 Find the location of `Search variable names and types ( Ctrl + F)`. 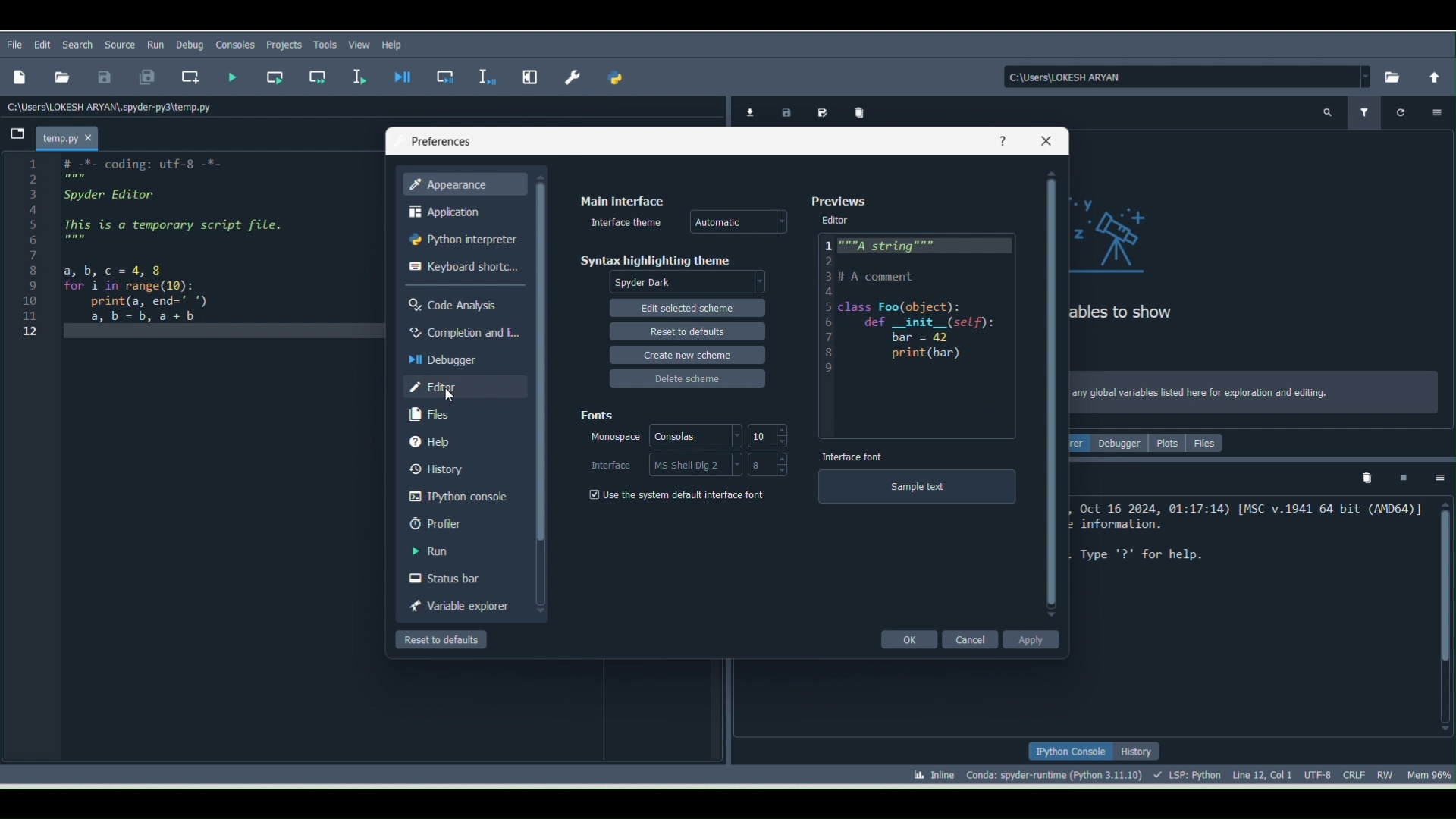

Search variable names and types ( Ctrl + F) is located at coordinates (1323, 115).